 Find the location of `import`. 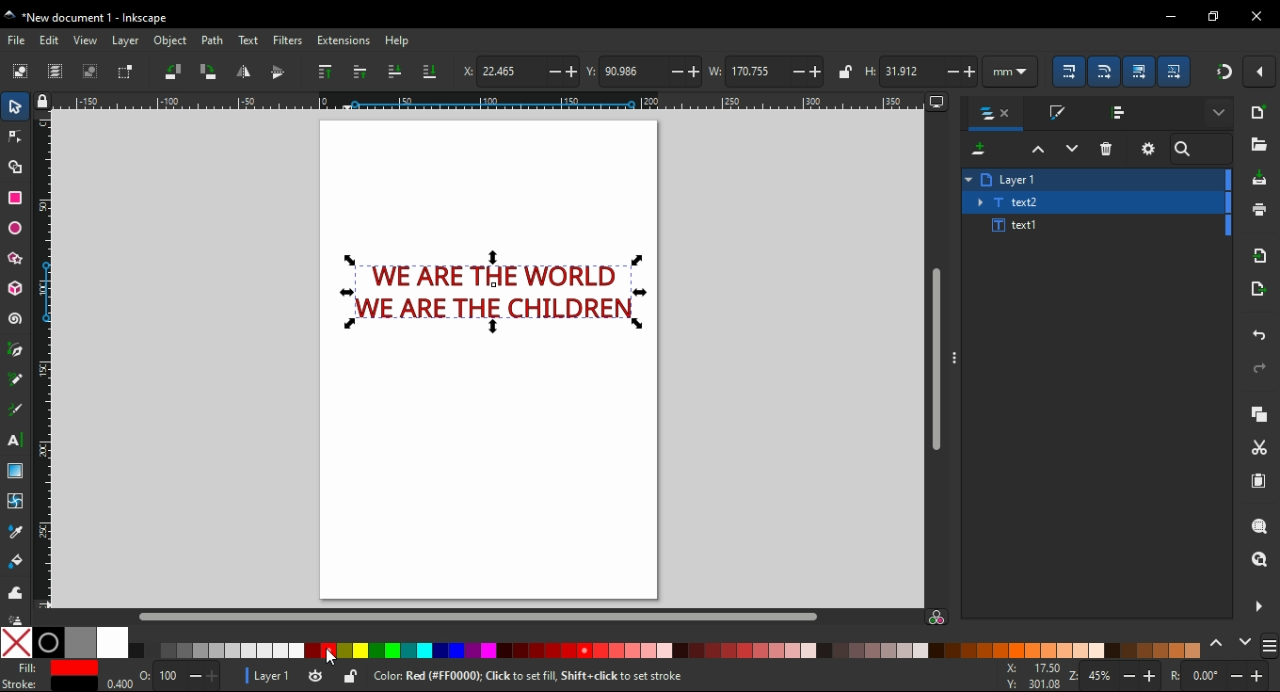

import is located at coordinates (1259, 257).